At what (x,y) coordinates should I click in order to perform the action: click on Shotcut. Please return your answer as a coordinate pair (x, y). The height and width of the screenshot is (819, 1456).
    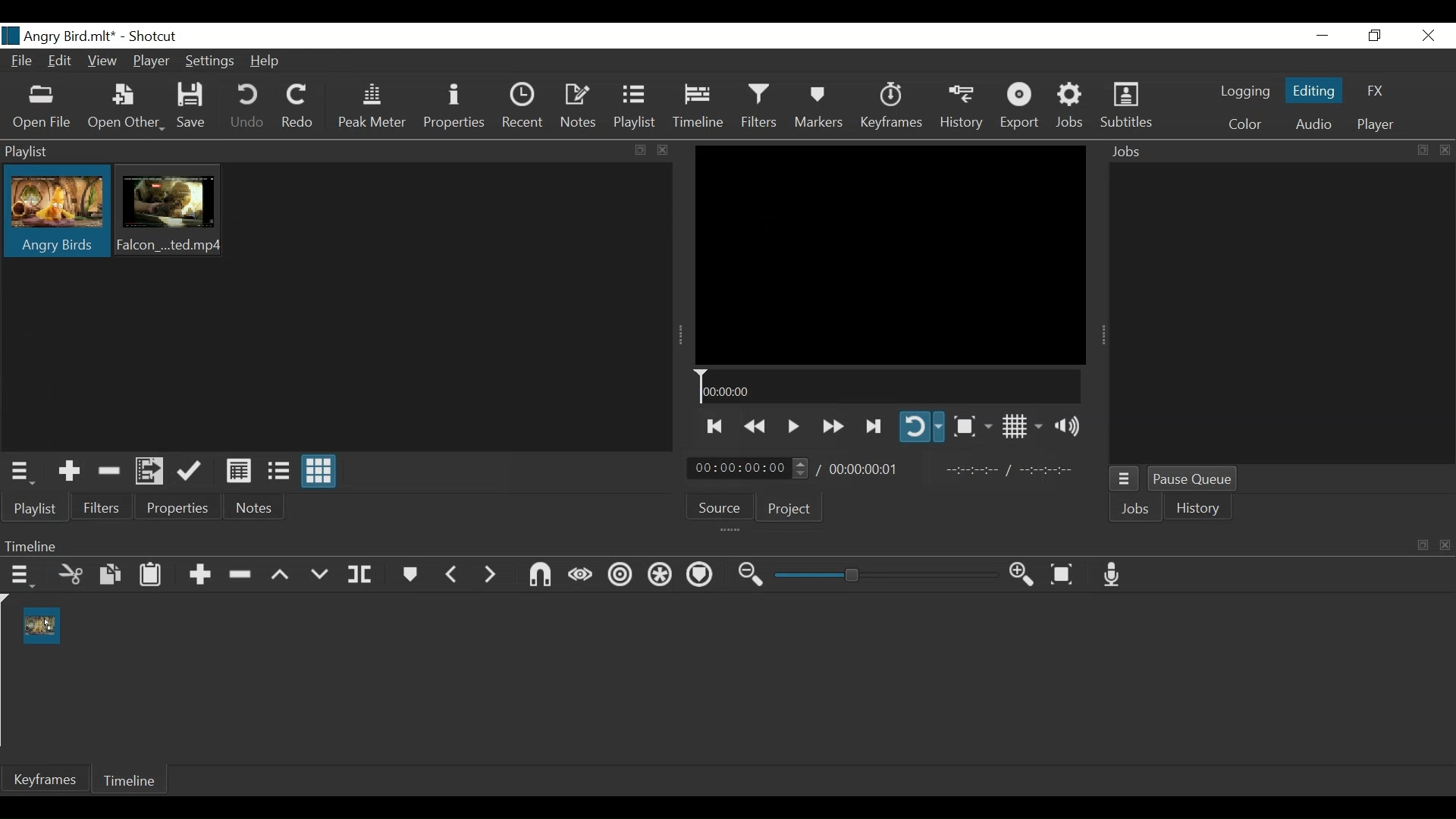
    Looking at the image, I should click on (152, 36).